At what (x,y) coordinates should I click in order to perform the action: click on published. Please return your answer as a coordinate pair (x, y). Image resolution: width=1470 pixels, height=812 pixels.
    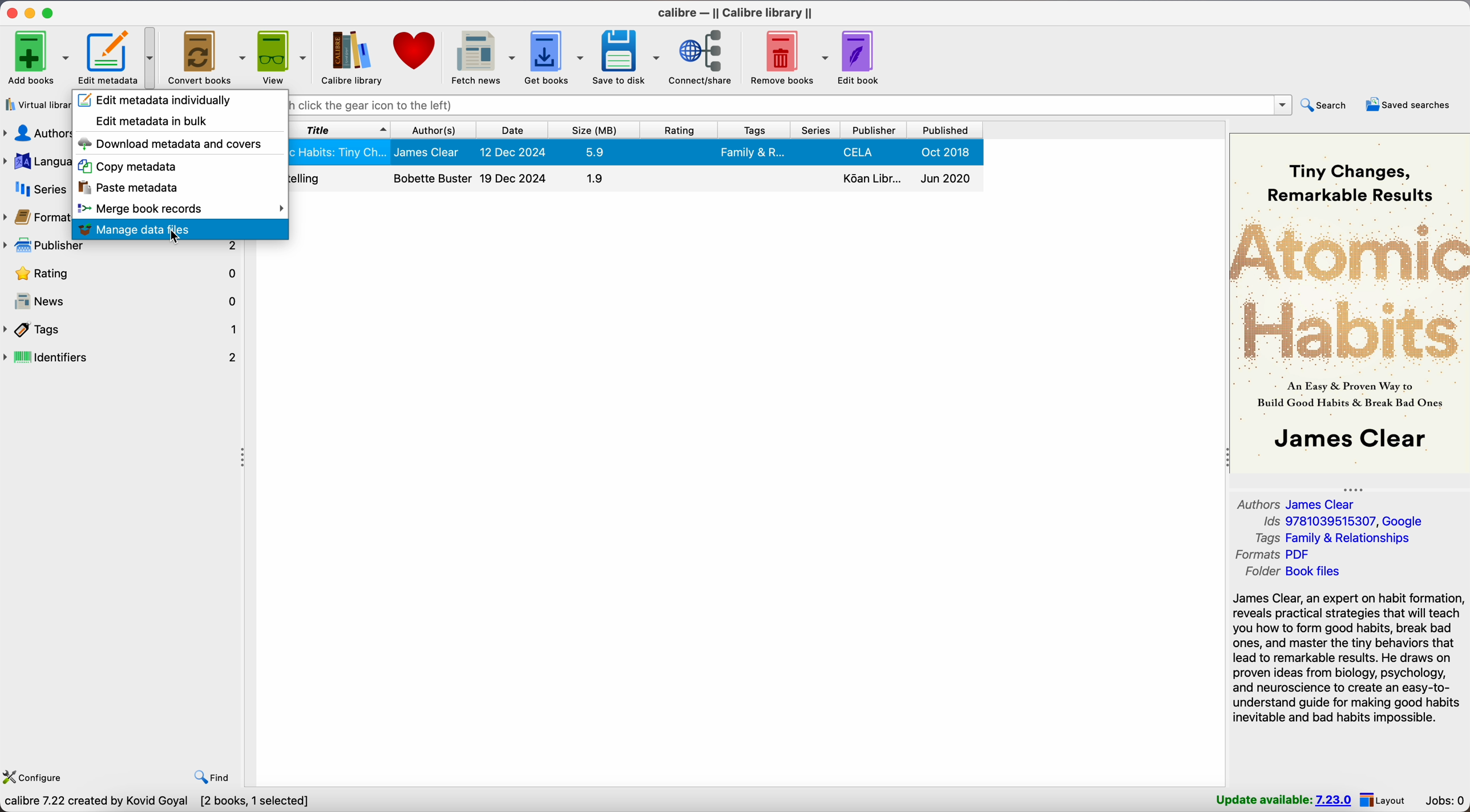
    Looking at the image, I should click on (947, 130).